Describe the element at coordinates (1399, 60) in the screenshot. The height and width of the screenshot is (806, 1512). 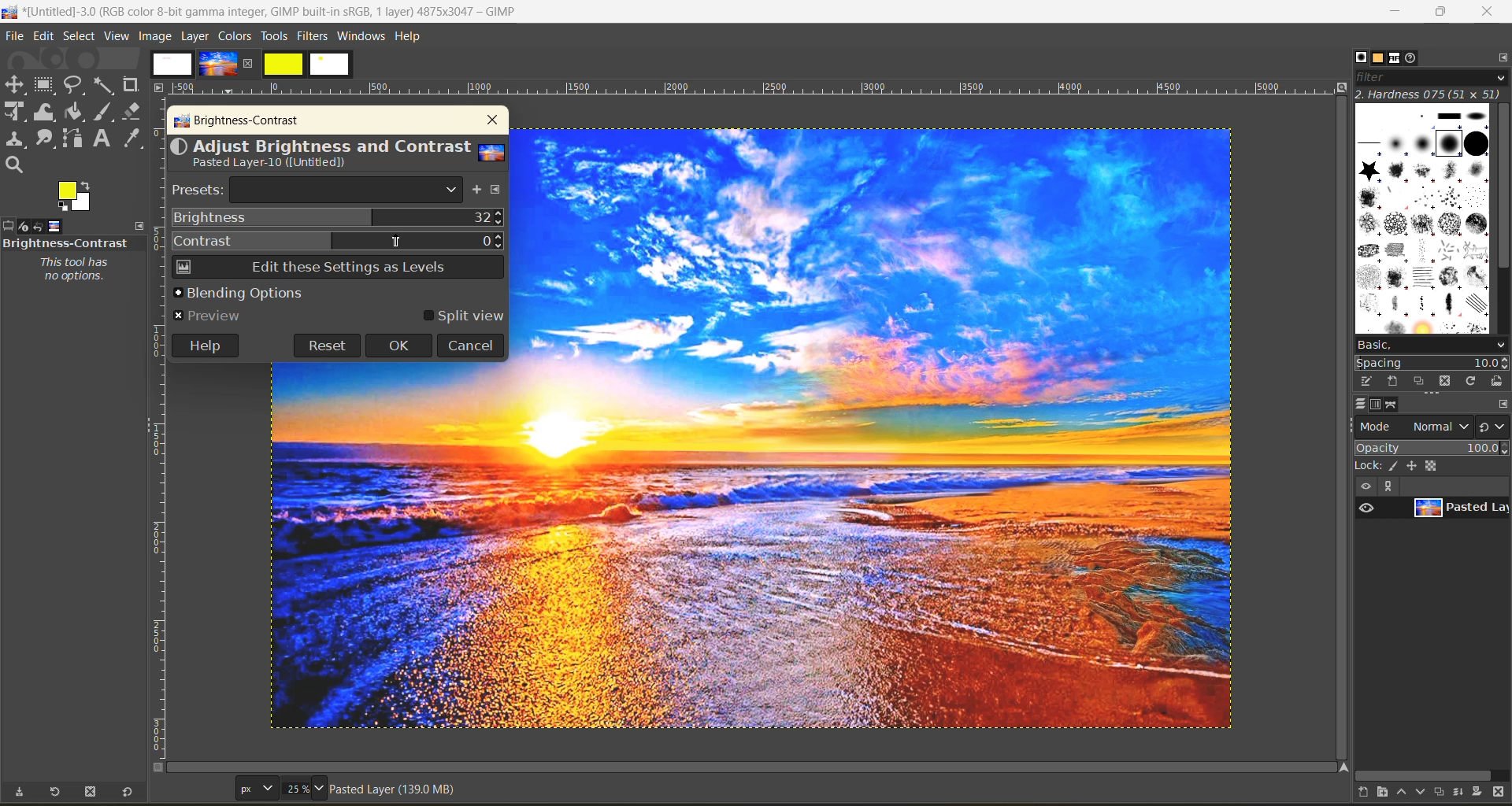
I see `fonts` at that location.